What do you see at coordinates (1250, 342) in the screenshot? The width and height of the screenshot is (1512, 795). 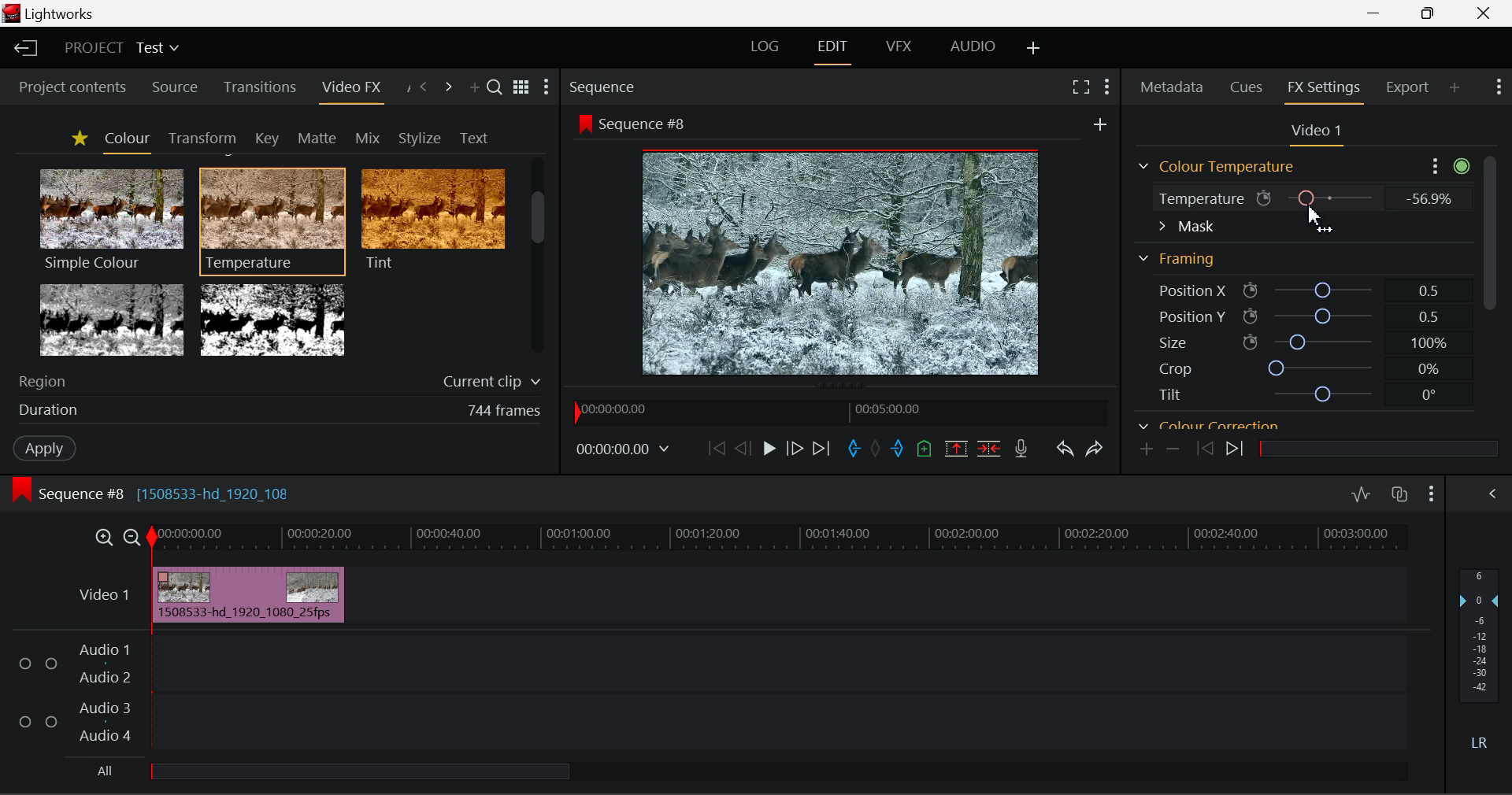 I see `icon` at bounding box center [1250, 342].